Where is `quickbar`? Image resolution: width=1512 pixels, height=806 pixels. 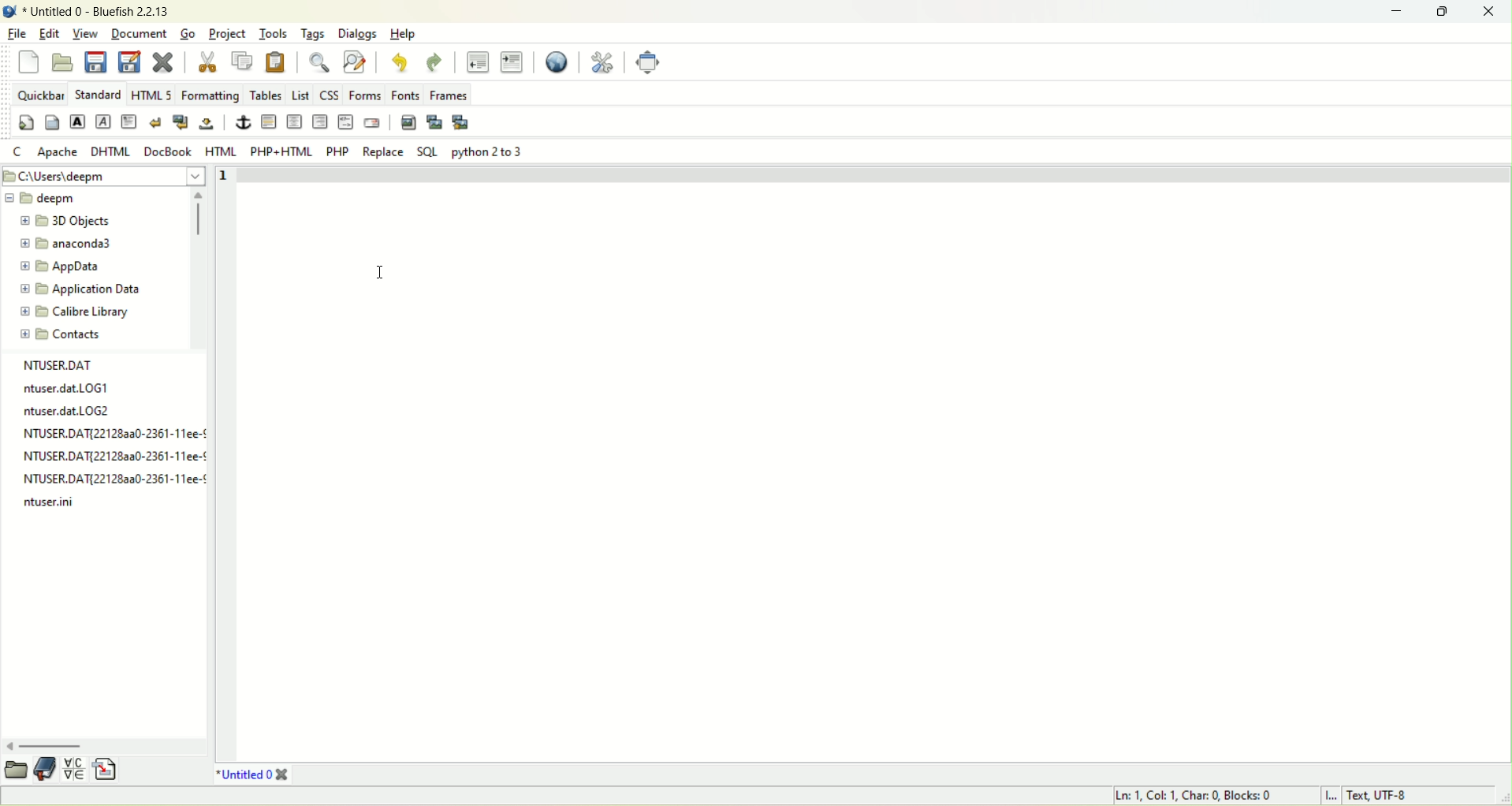
quickbar is located at coordinates (41, 94).